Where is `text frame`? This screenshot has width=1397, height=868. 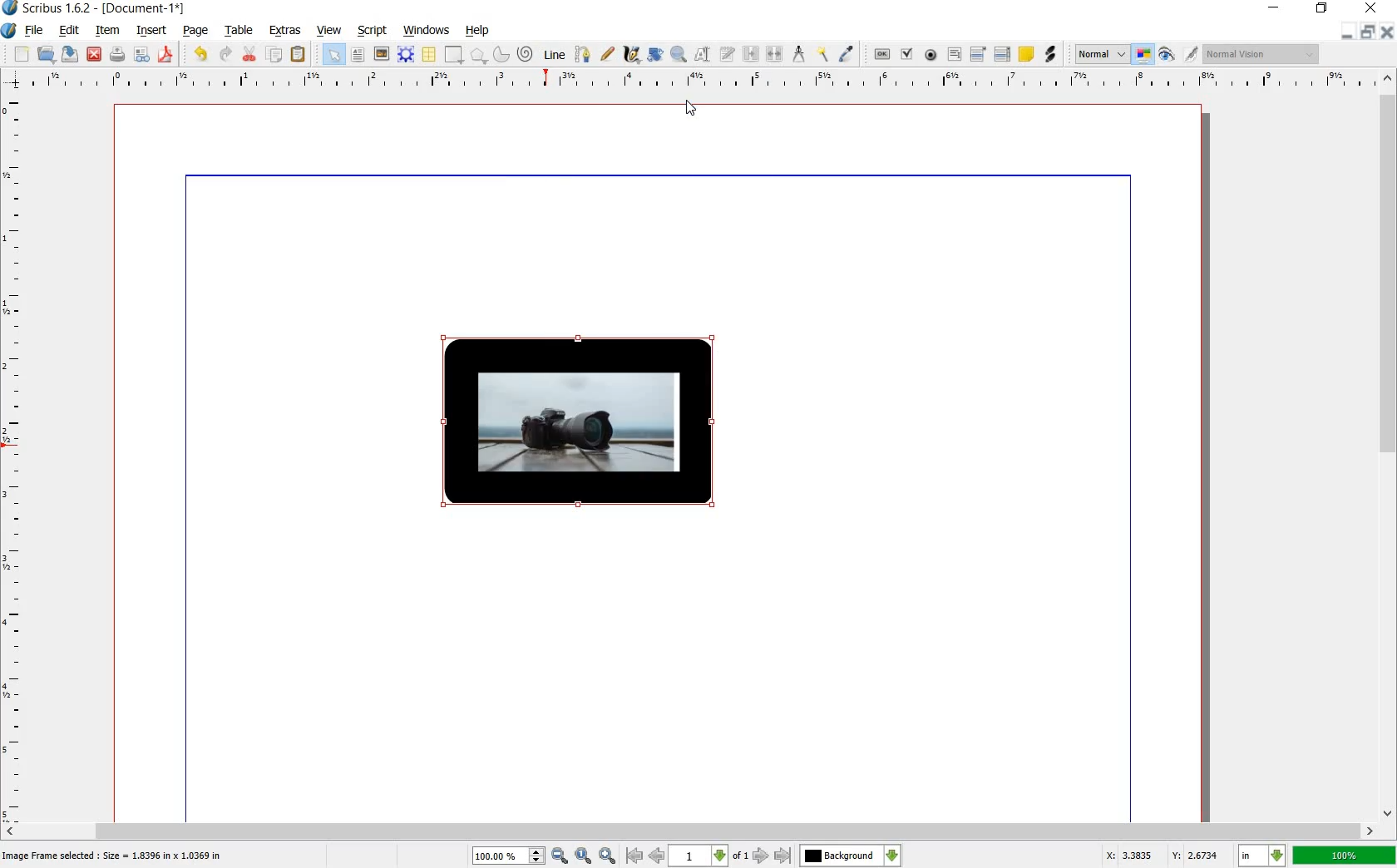 text frame is located at coordinates (357, 55).